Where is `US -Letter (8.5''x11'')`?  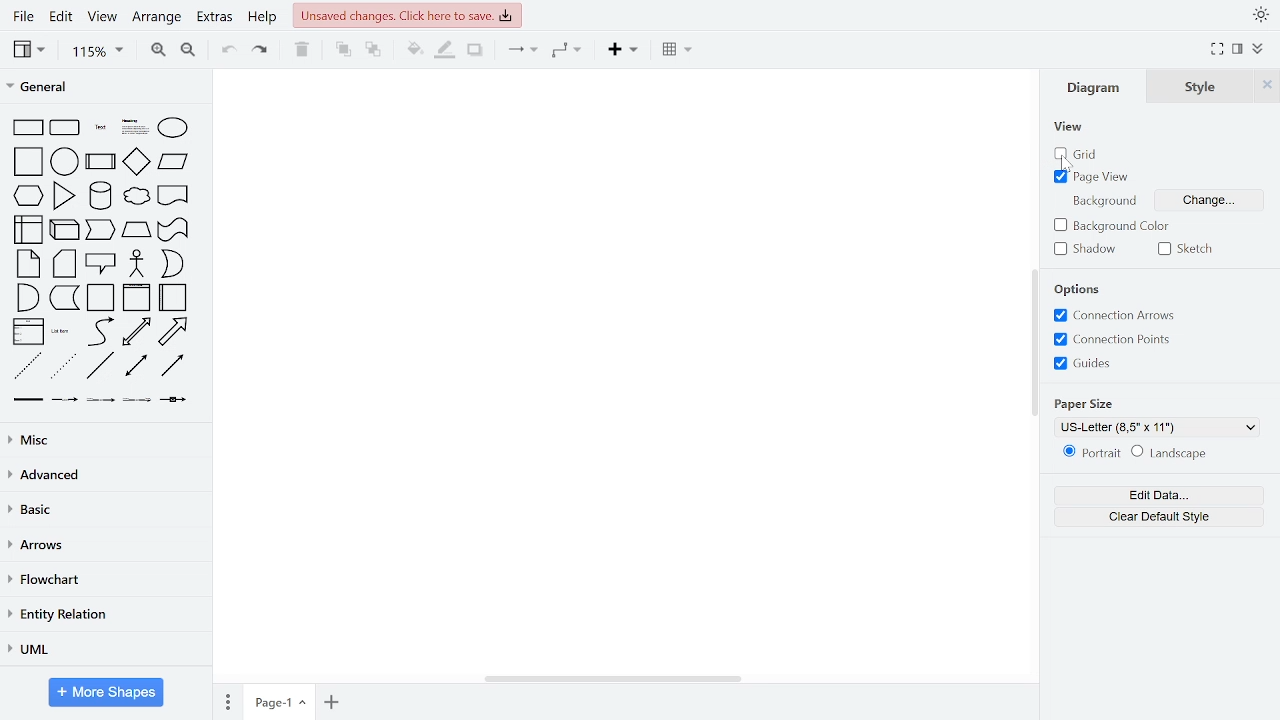 US -Letter (8.5''x11'') is located at coordinates (1158, 427).